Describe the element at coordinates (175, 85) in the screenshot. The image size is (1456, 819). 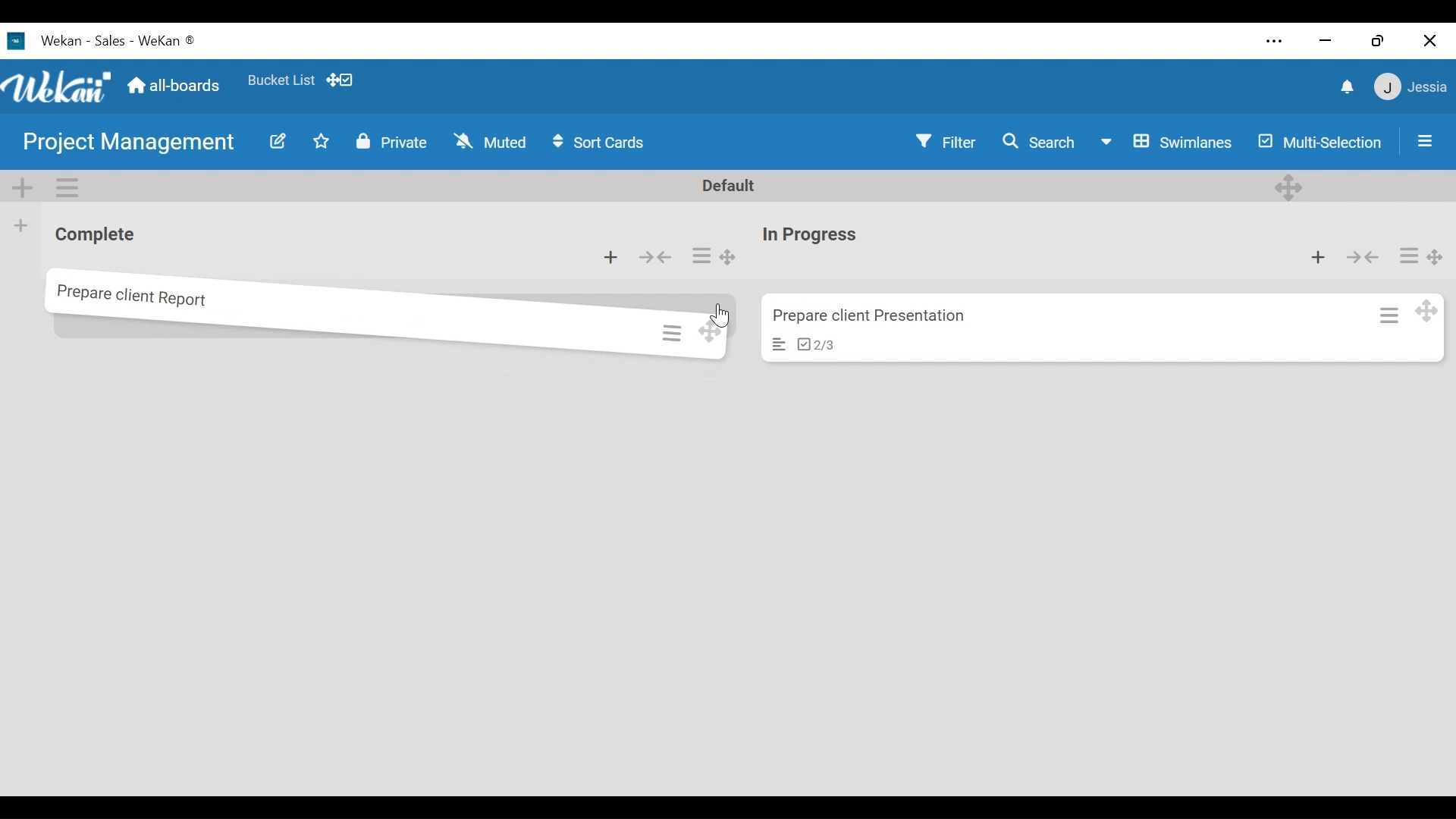
I see `all boards` at that location.